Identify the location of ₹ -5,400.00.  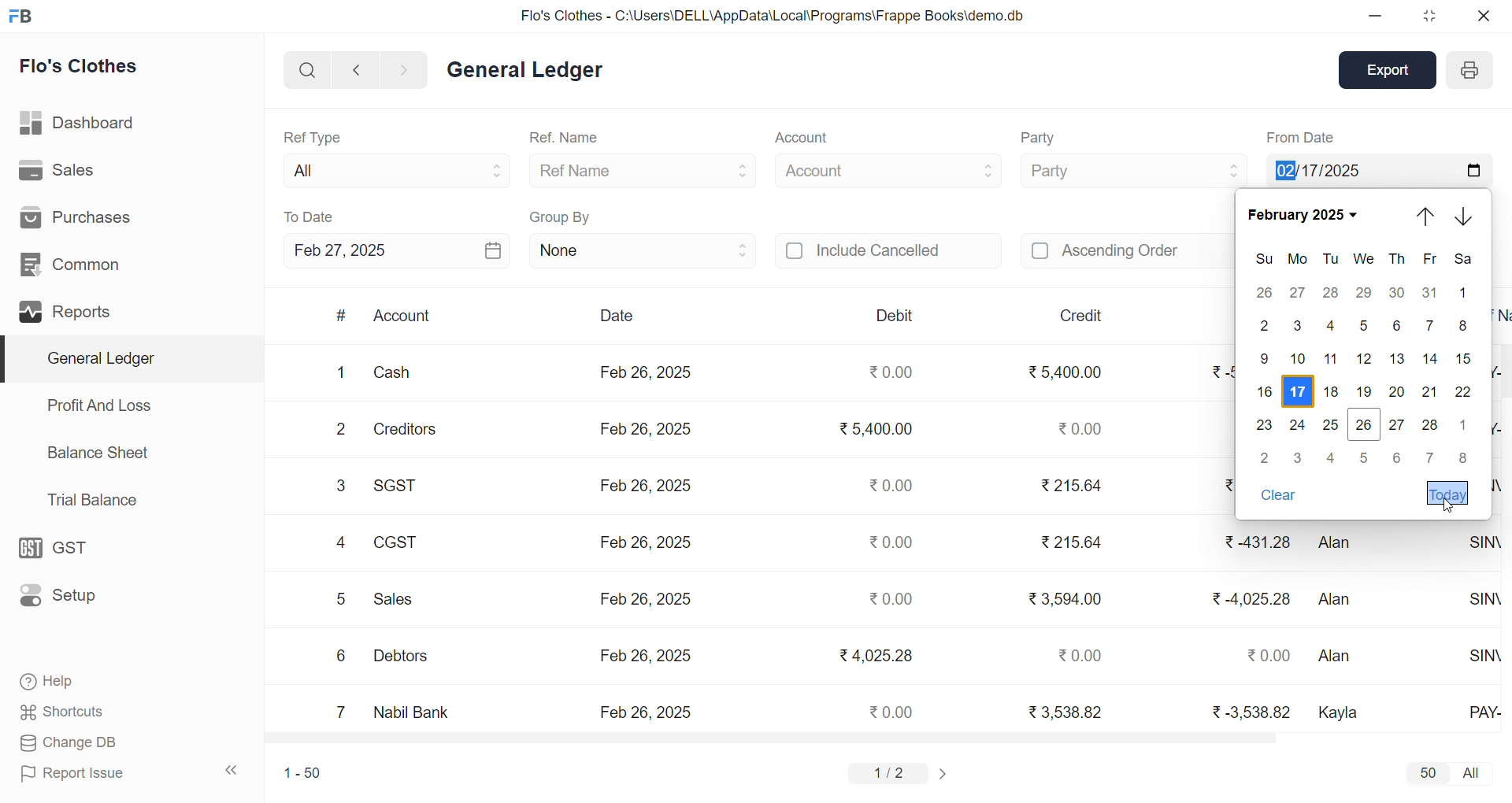
(1217, 372).